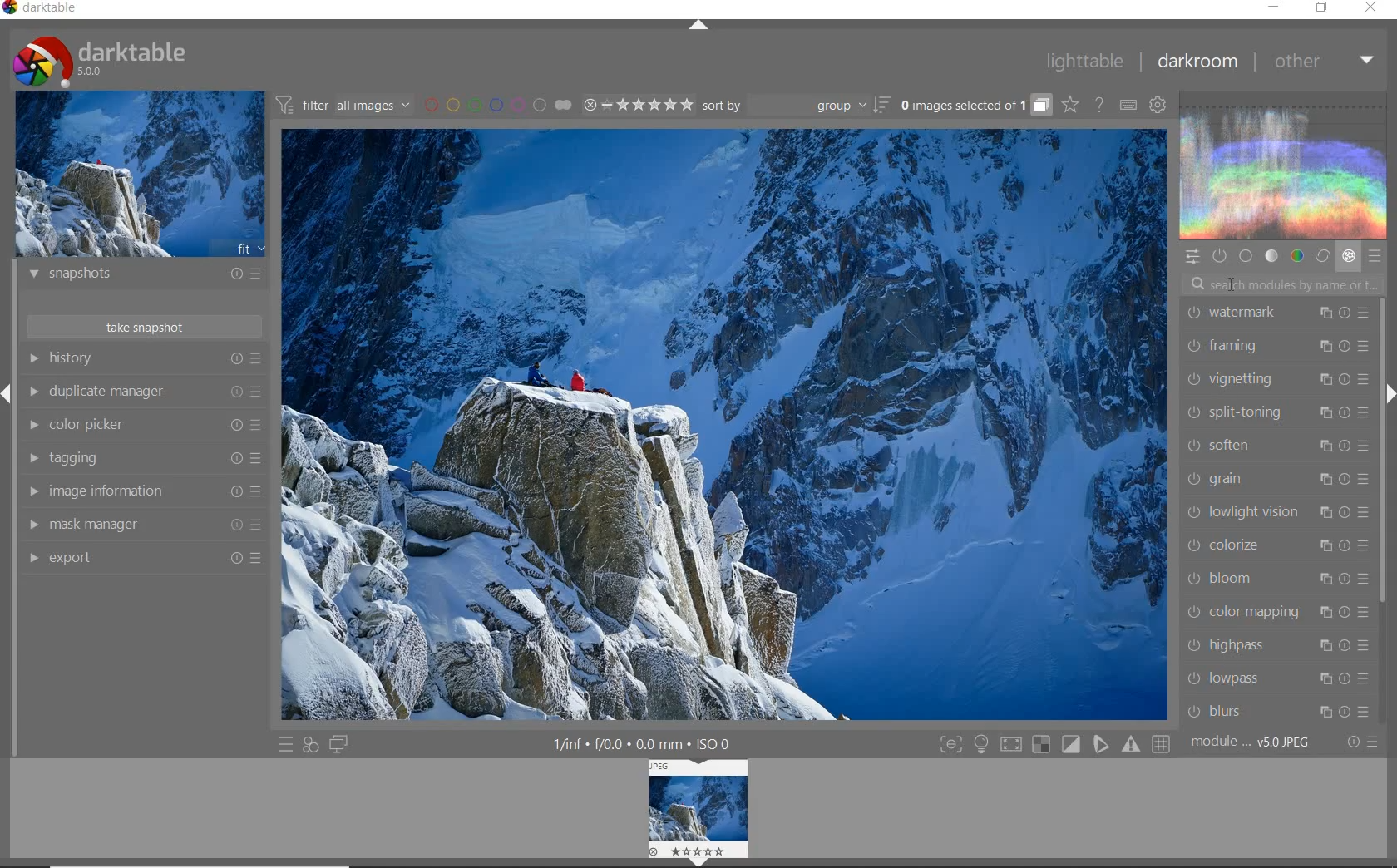  Describe the element at coordinates (1158, 104) in the screenshot. I see `show global preferences` at that location.